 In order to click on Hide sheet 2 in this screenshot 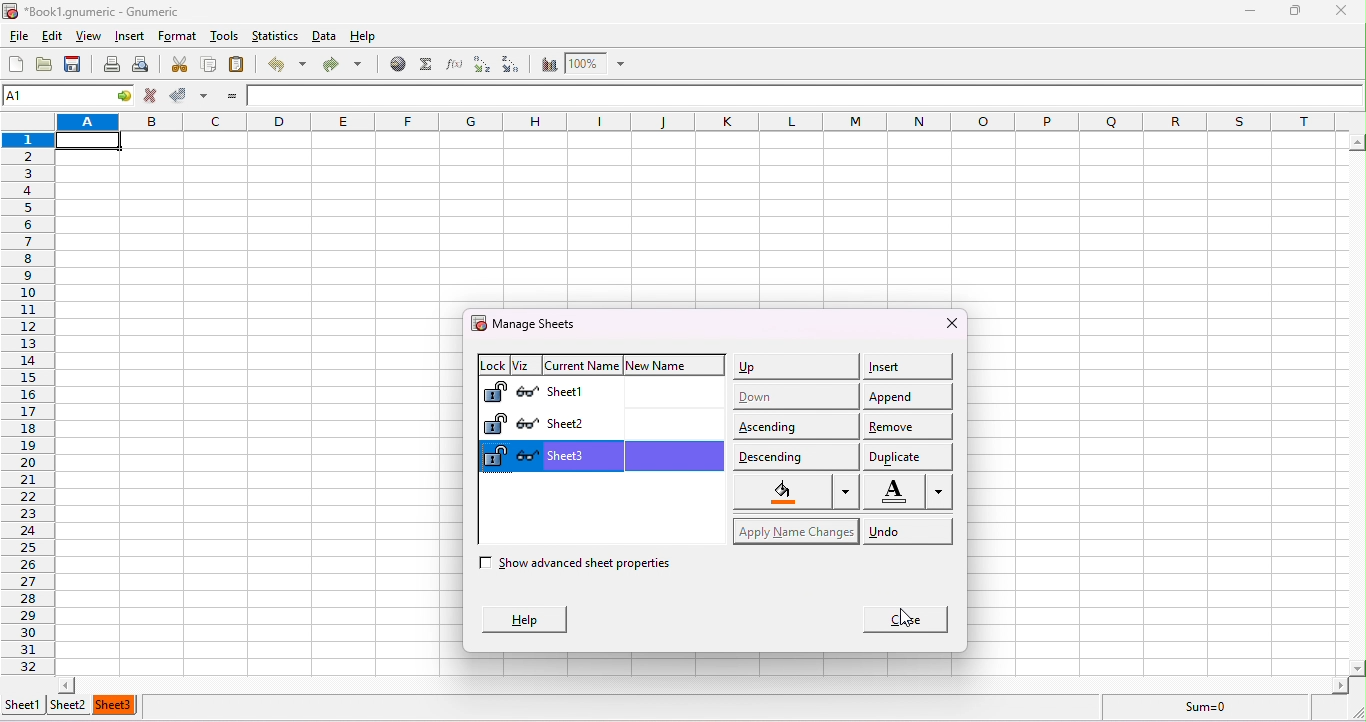, I will do `click(528, 423)`.